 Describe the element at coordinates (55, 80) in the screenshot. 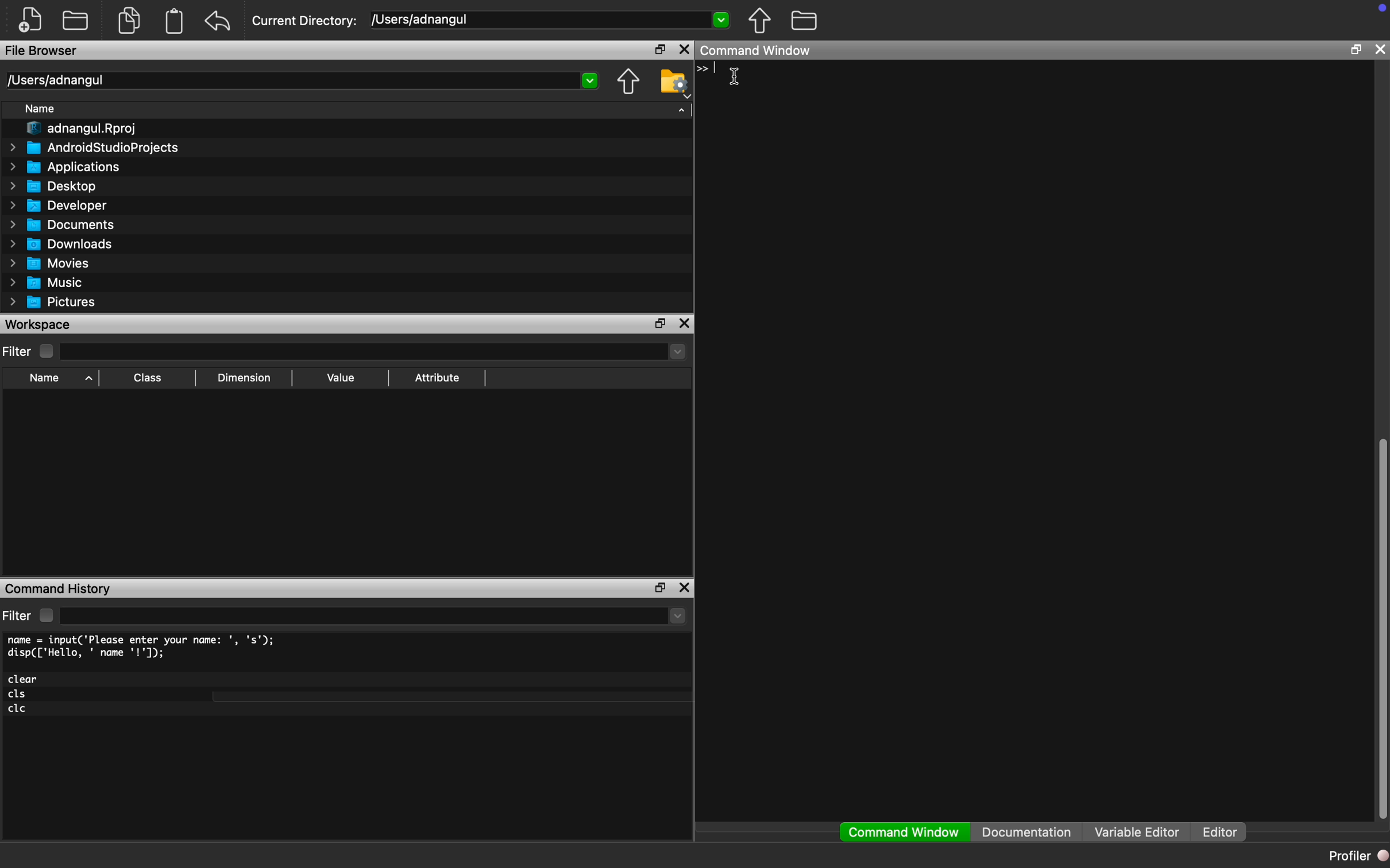

I see `Users/adnangul` at that location.